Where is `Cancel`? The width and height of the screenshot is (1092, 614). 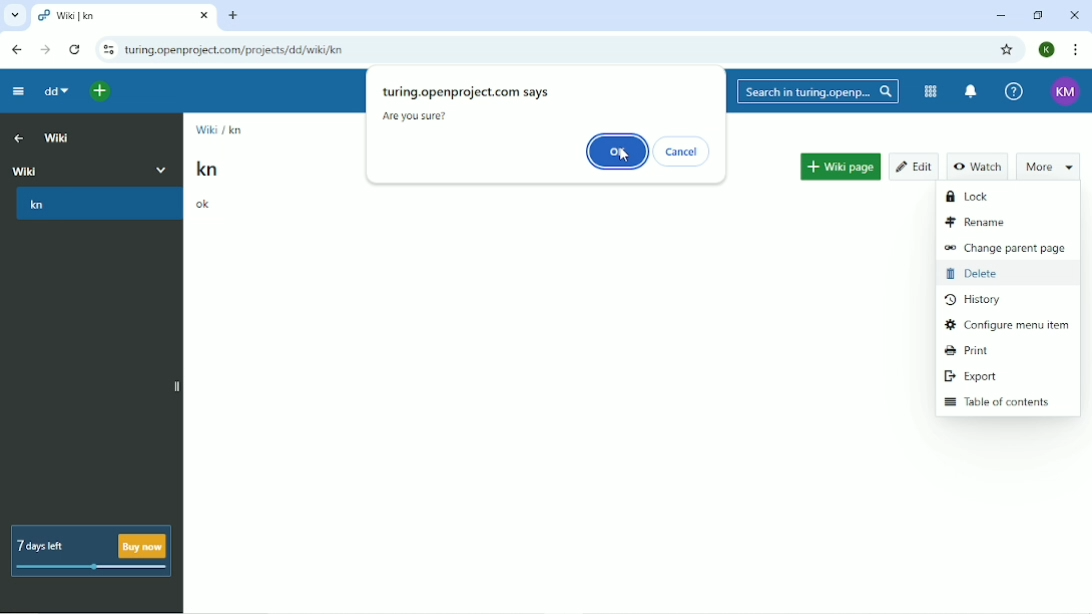
Cancel is located at coordinates (682, 152).